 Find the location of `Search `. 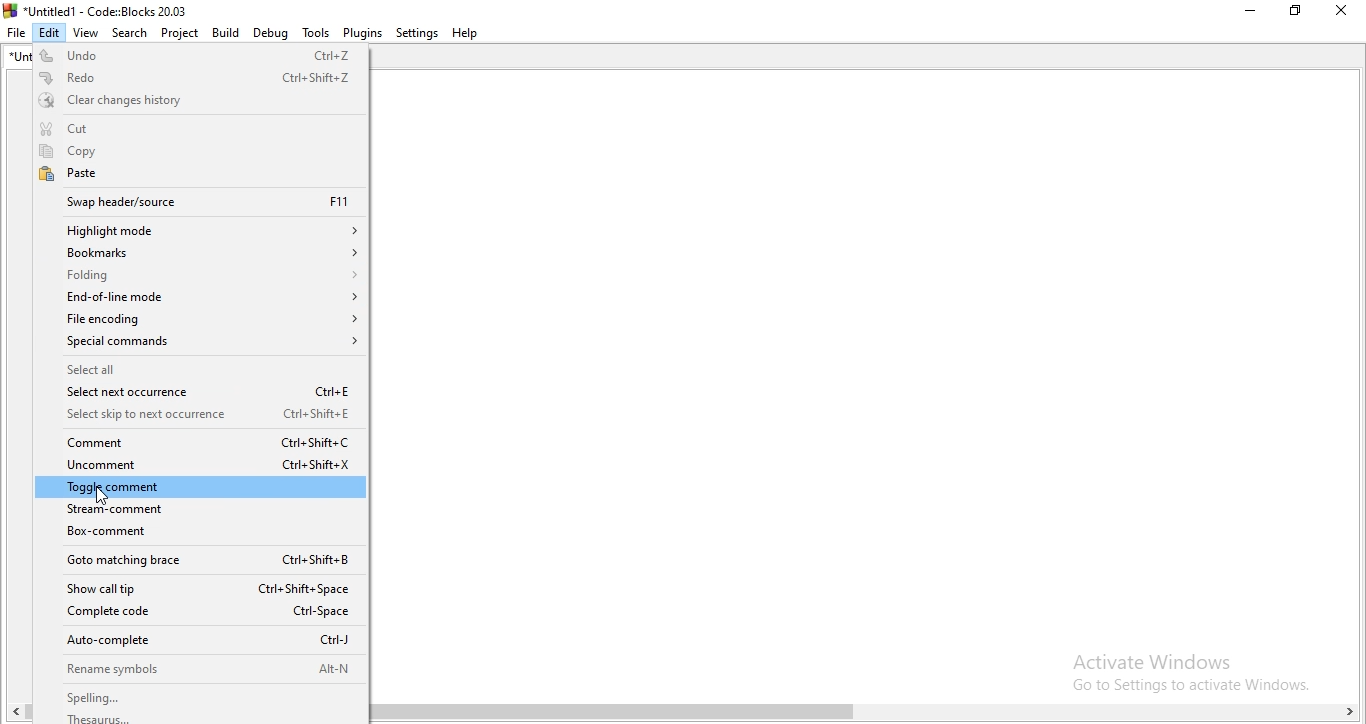

Search  is located at coordinates (129, 34).